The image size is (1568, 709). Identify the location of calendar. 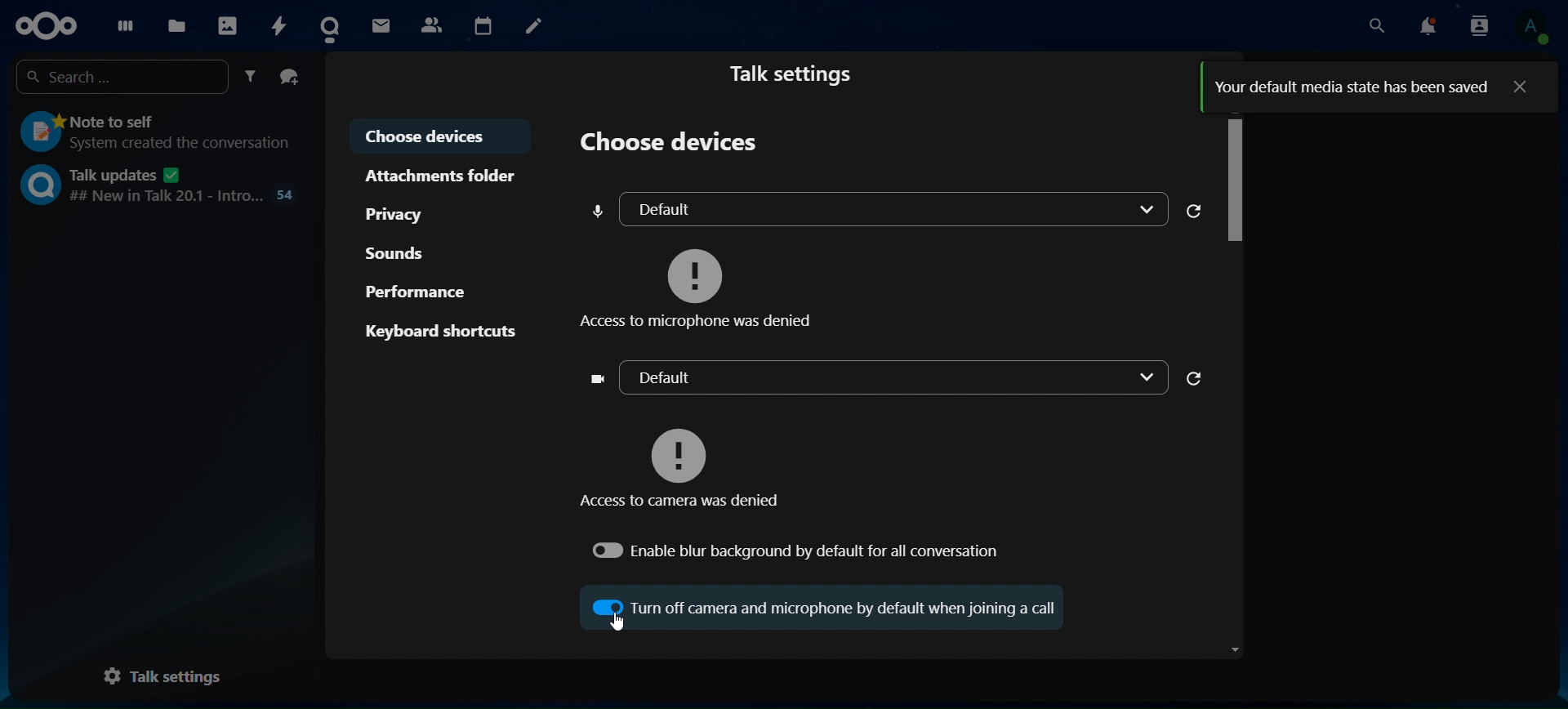
(485, 22).